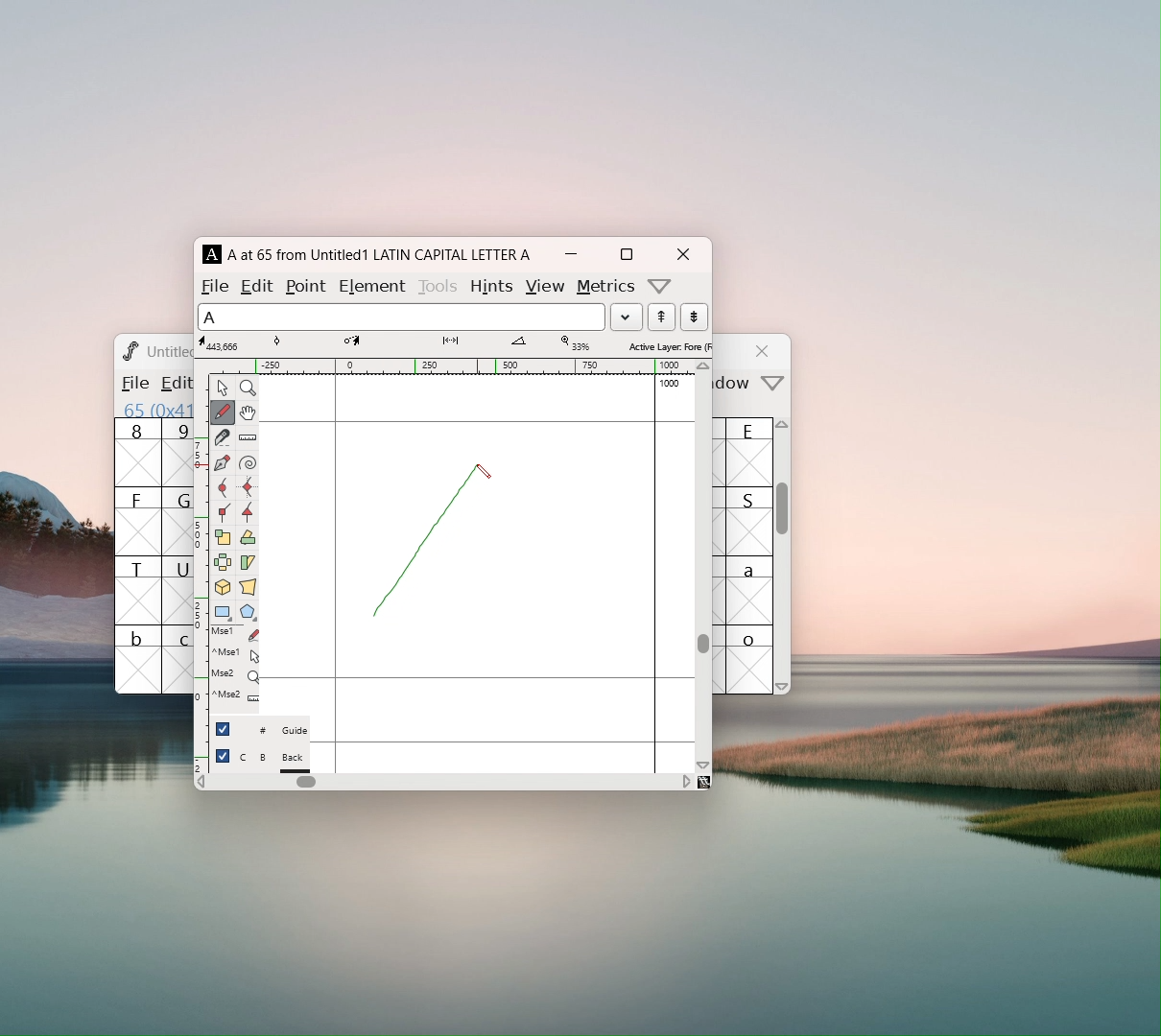  Describe the element at coordinates (178, 452) in the screenshot. I see `9` at that location.